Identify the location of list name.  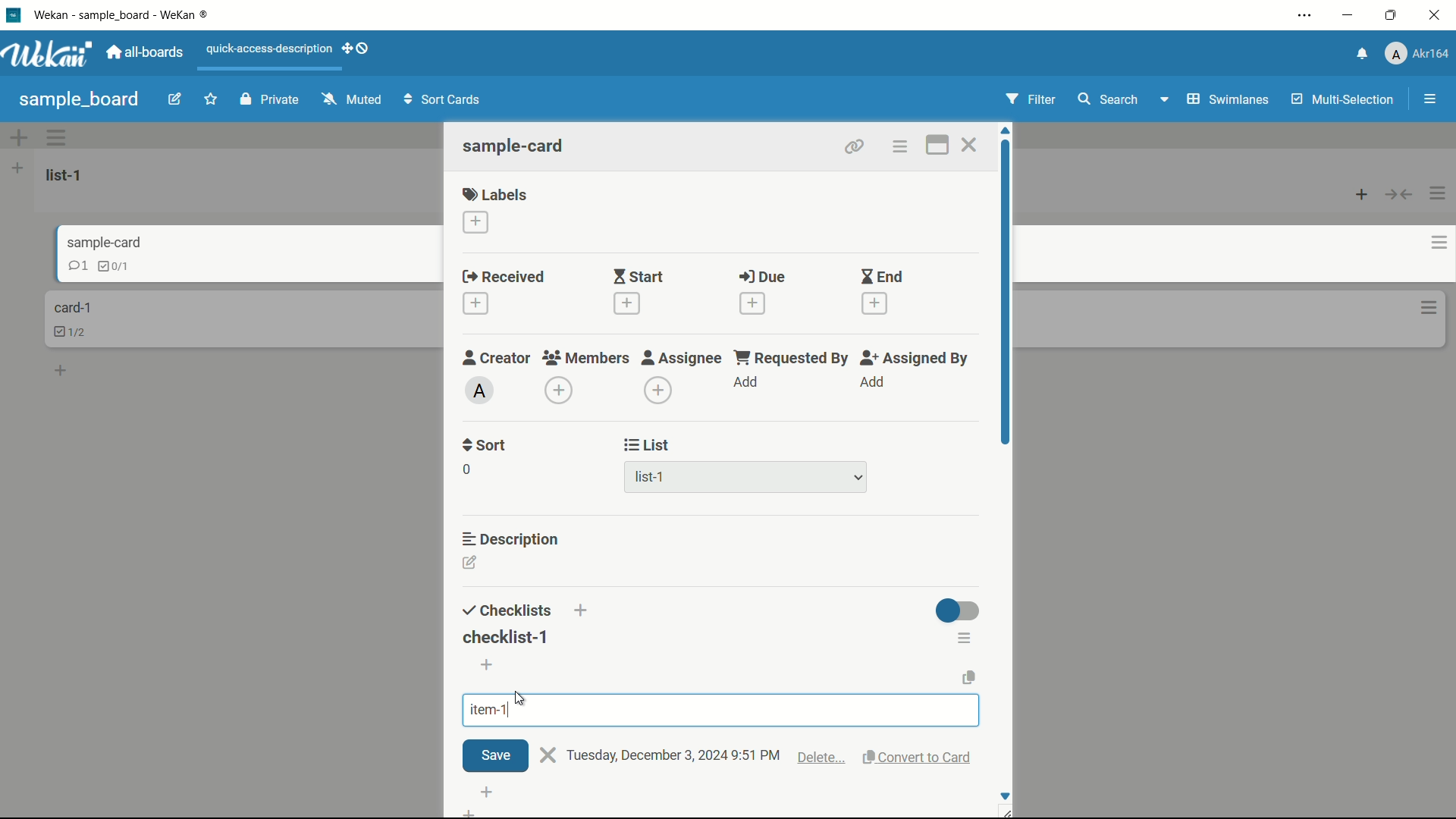
(67, 175).